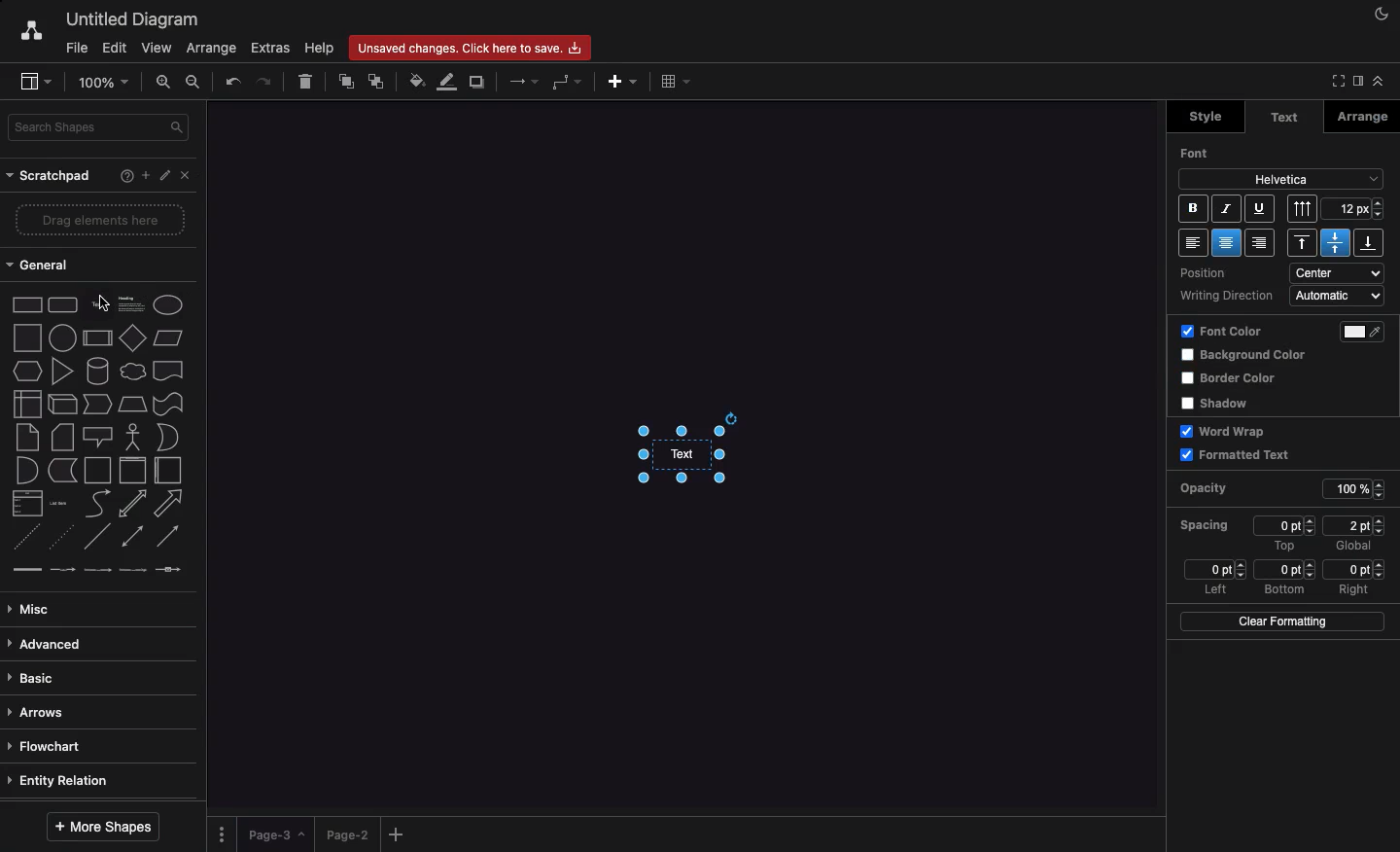  I want to click on Search shapes, so click(100, 127).